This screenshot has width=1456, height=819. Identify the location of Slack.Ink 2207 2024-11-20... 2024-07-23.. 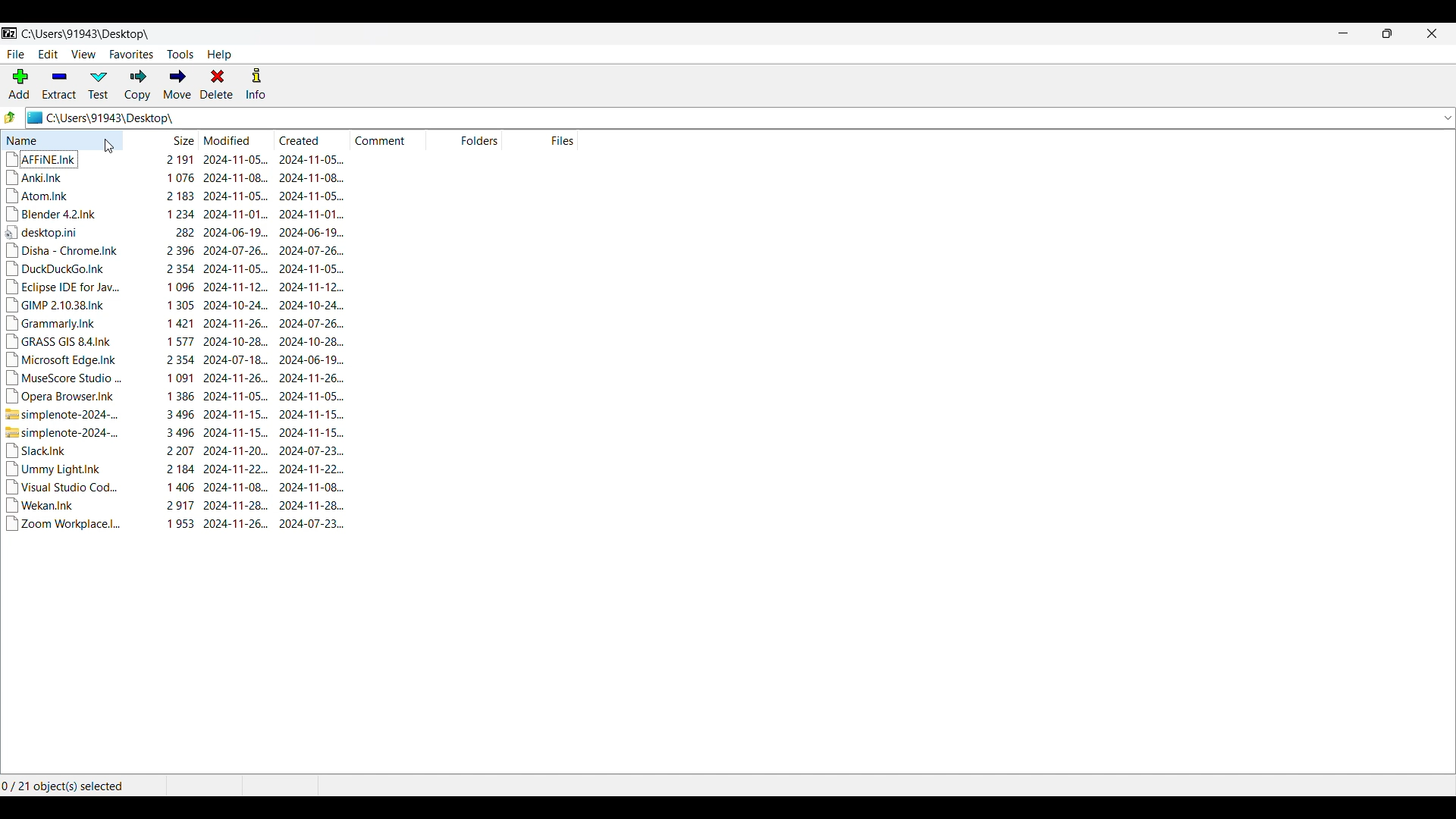
(176, 451).